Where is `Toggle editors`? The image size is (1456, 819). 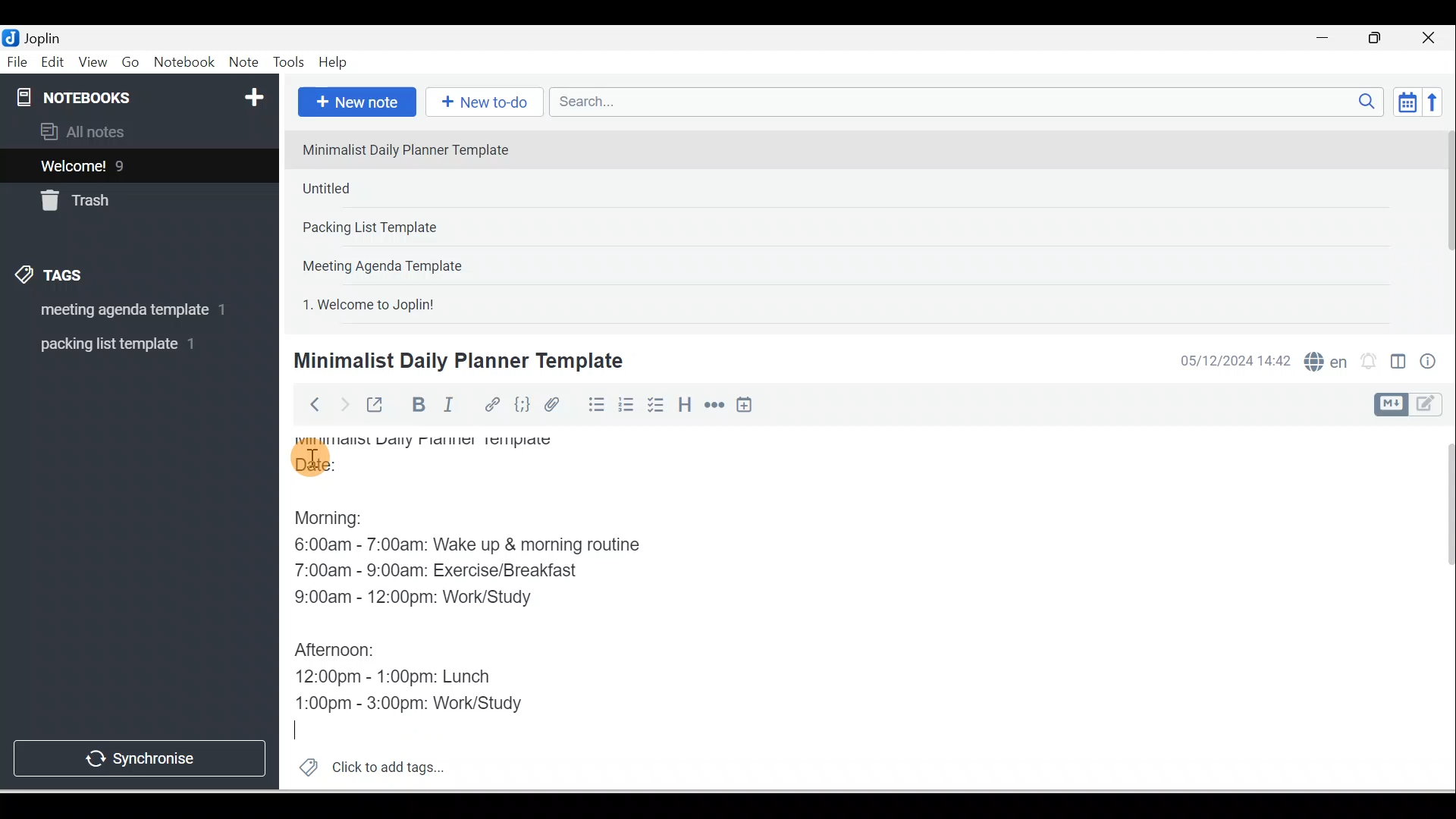
Toggle editors is located at coordinates (1398, 364).